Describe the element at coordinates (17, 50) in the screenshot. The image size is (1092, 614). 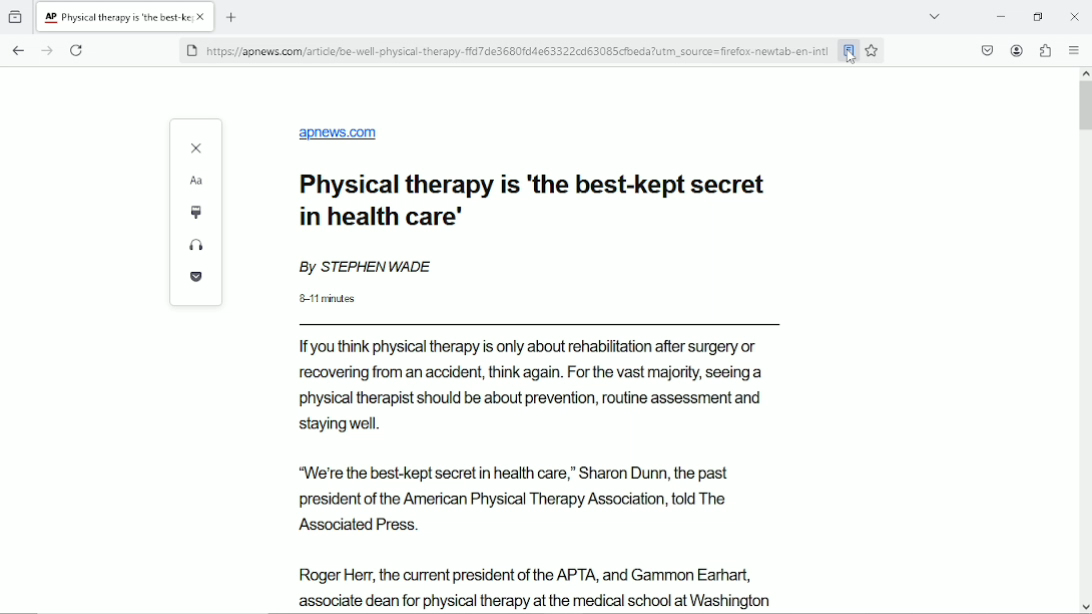
I see `go back` at that location.